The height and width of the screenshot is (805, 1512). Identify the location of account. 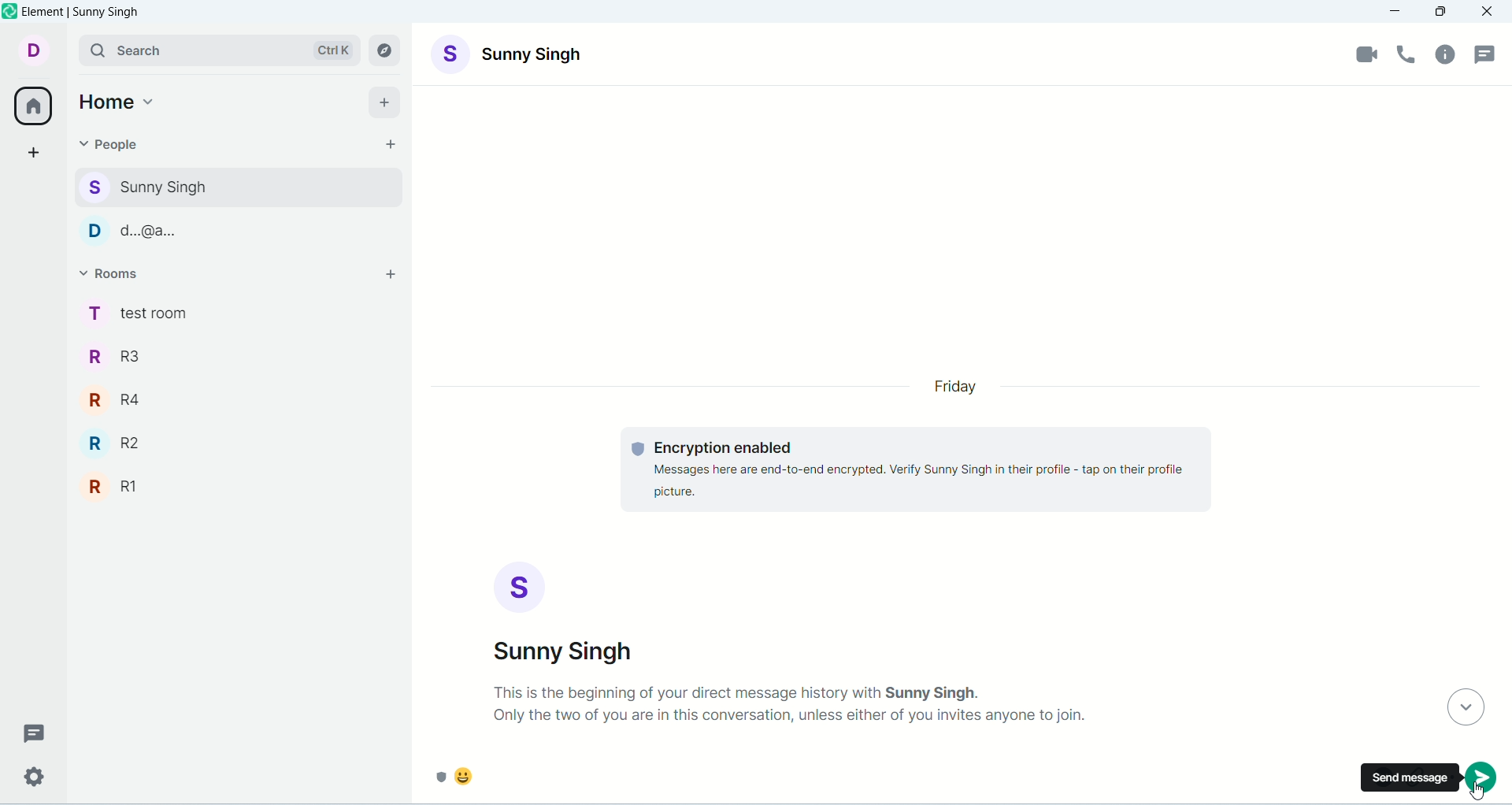
(510, 53).